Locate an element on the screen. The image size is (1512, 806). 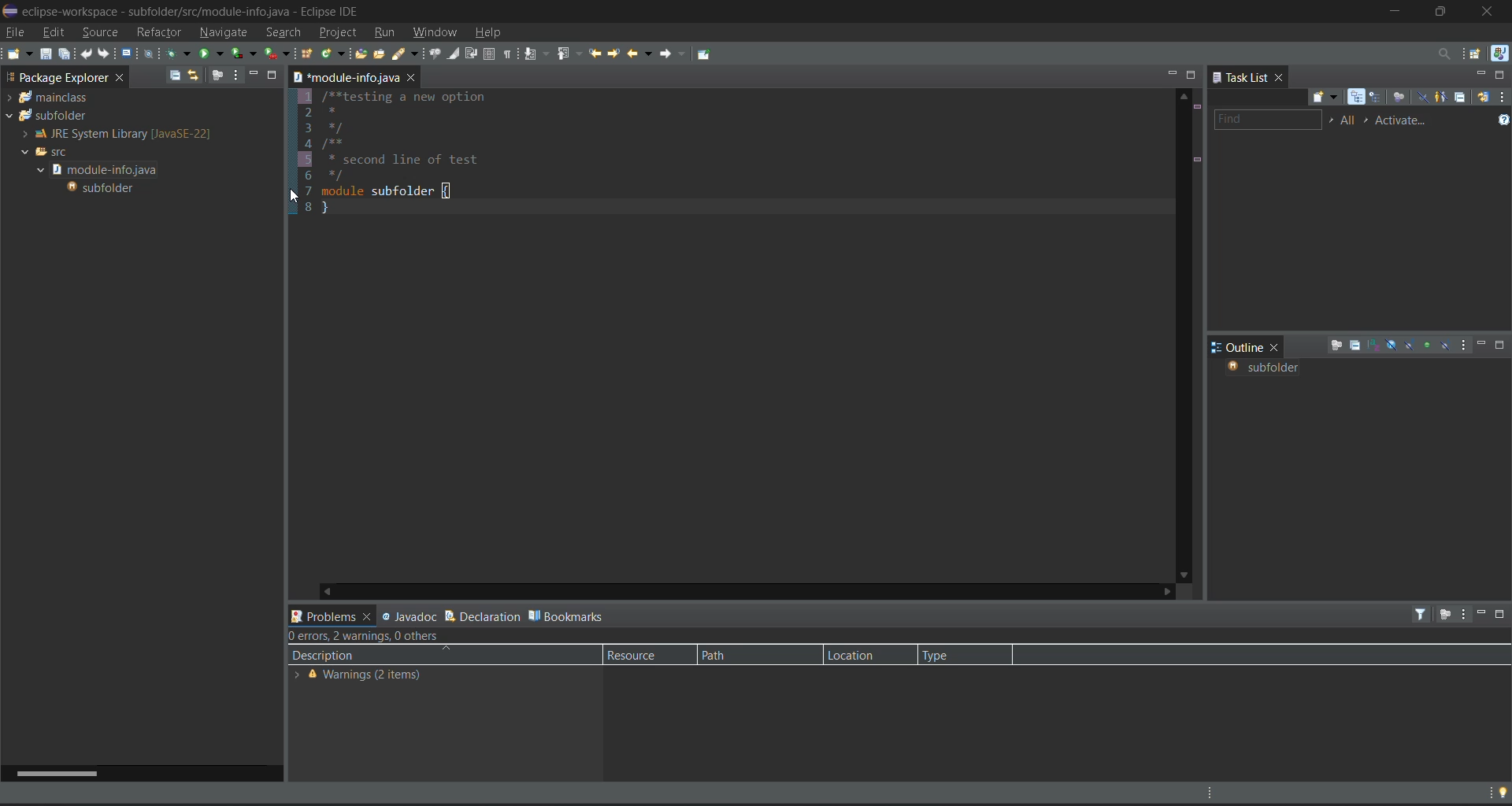
maximize is located at coordinates (272, 74).